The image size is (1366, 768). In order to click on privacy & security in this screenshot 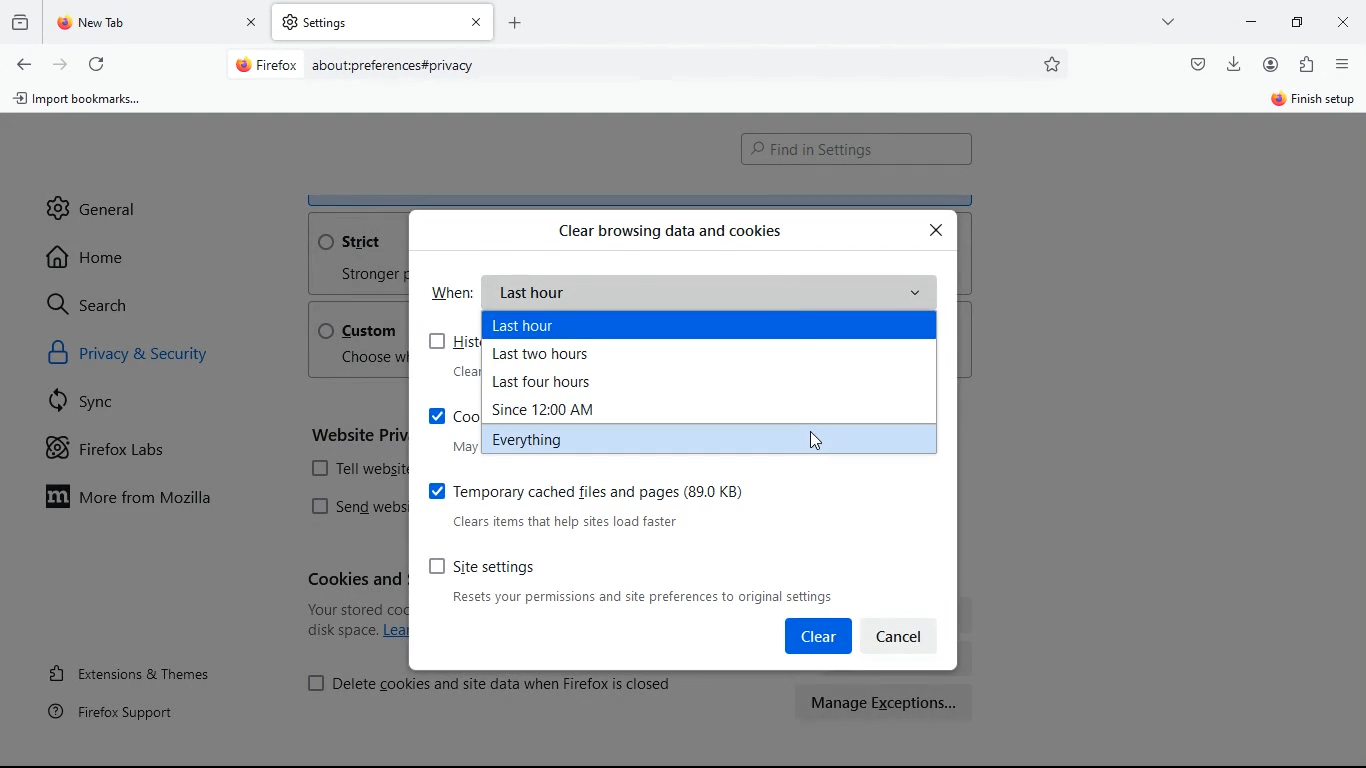, I will do `click(153, 357)`.